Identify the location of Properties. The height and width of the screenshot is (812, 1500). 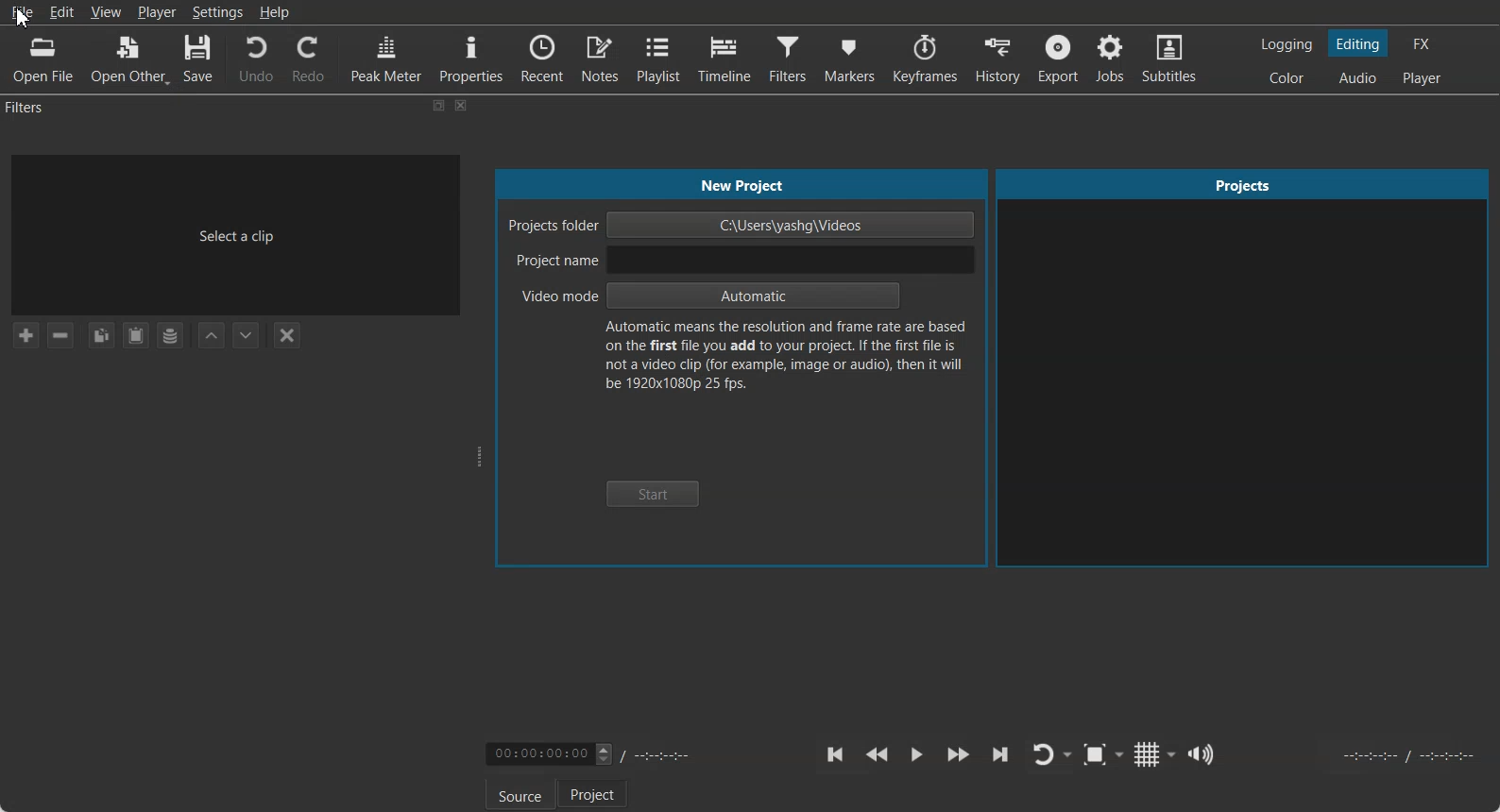
(471, 57).